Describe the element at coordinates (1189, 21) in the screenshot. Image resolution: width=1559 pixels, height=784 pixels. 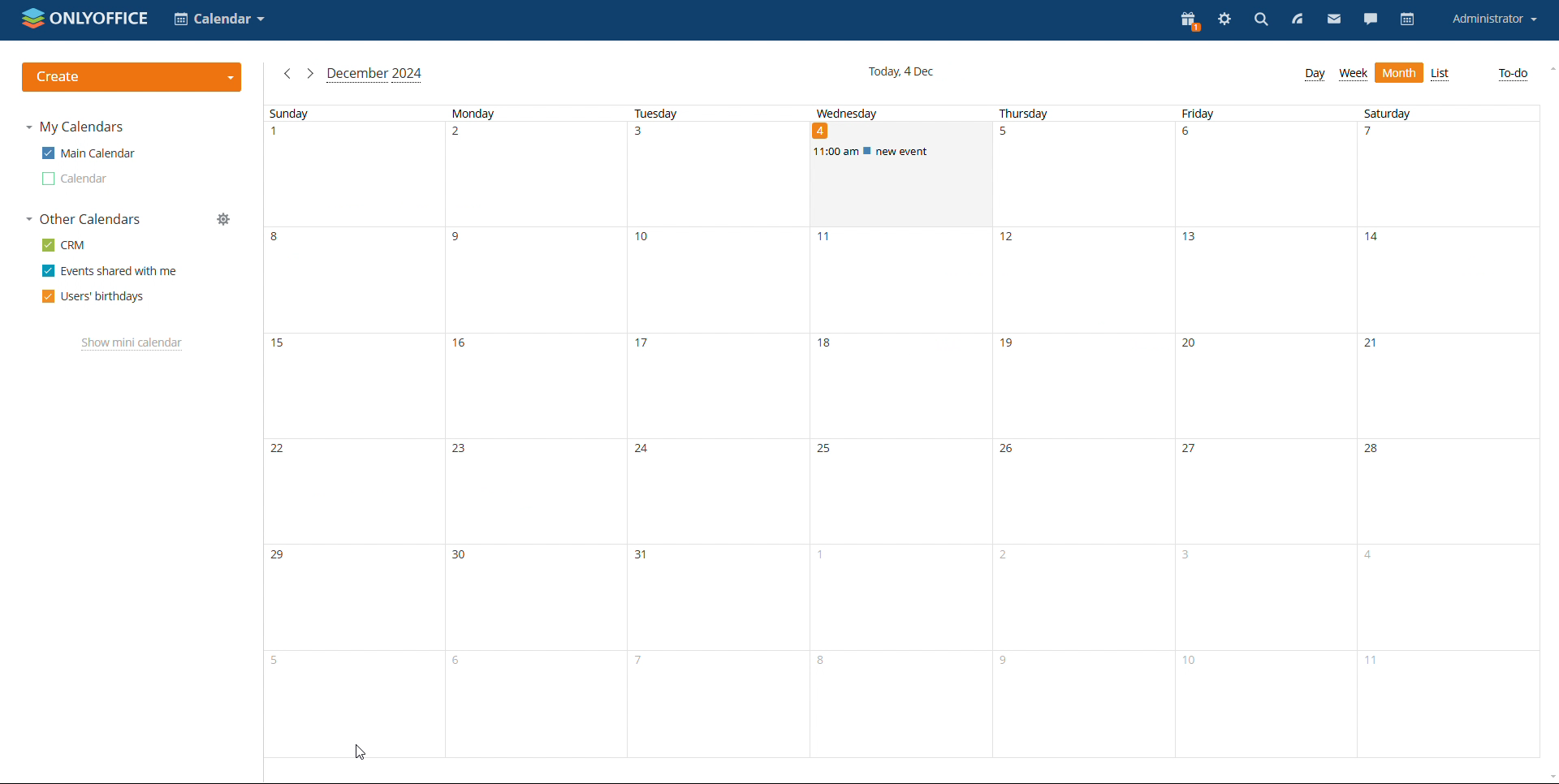
I see `present` at that location.